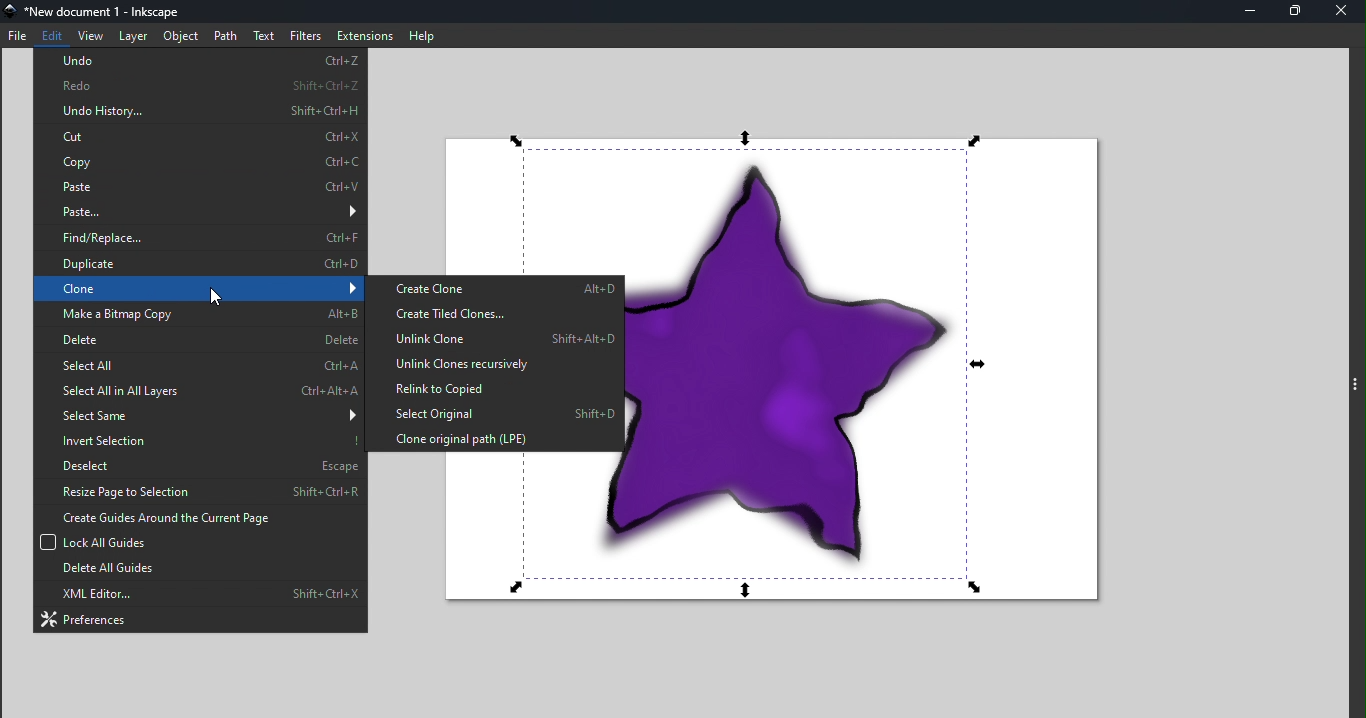 This screenshot has width=1366, height=718. What do you see at coordinates (201, 339) in the screenshot?
I see `delete` at bounding box center [201, 339].